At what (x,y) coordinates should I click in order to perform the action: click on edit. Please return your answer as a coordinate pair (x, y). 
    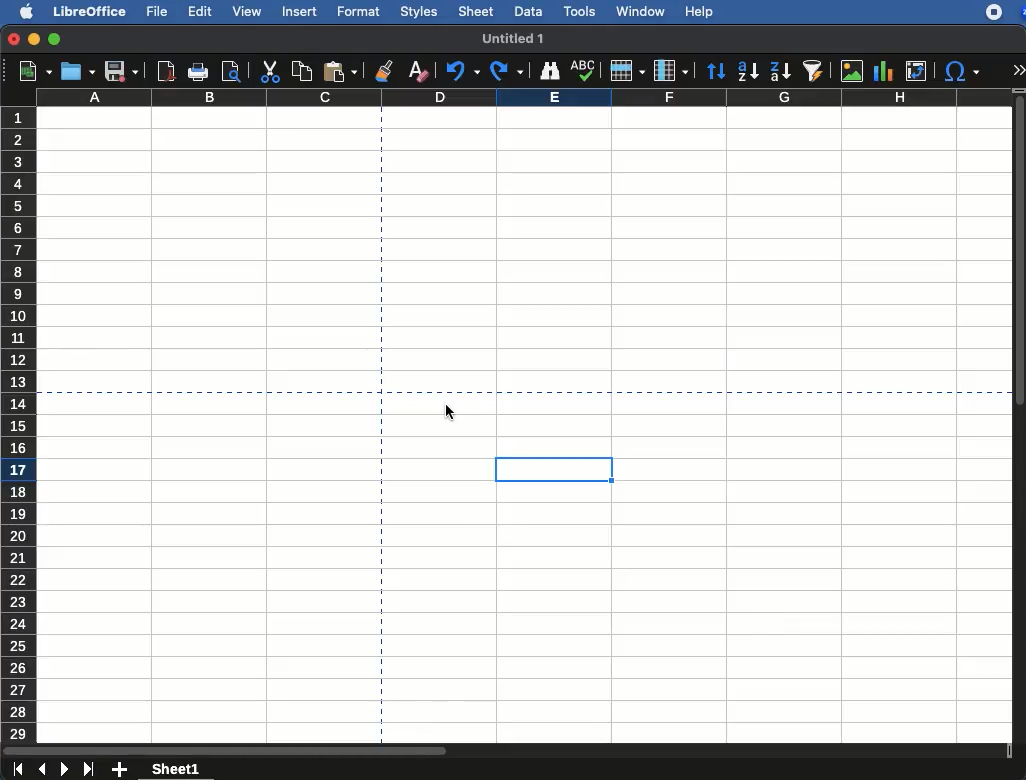
    Looking at the image, I should click on (199, 12).